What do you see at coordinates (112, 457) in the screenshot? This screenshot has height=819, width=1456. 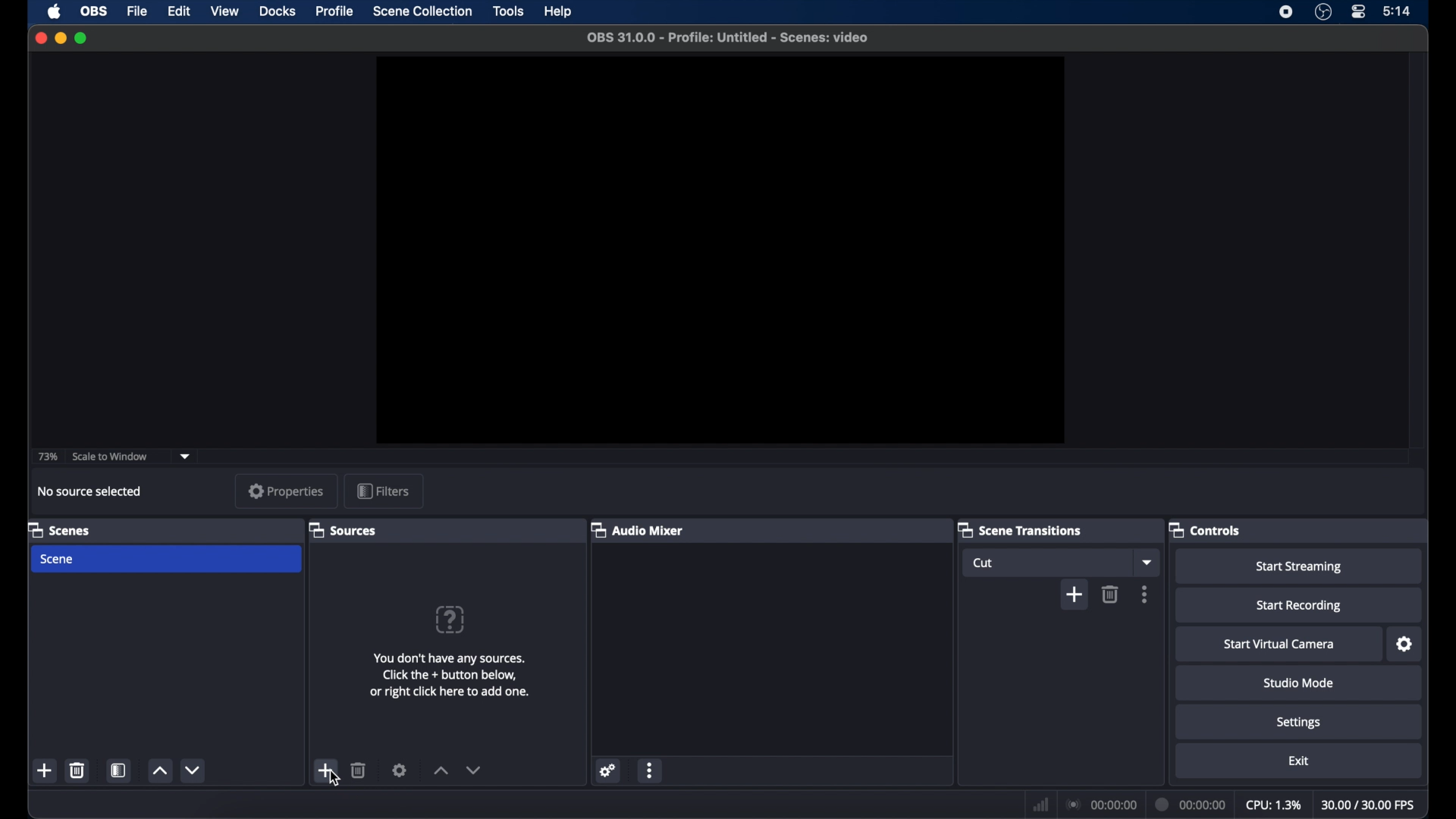 I see `scale to window` at bounding box center [112, 457].